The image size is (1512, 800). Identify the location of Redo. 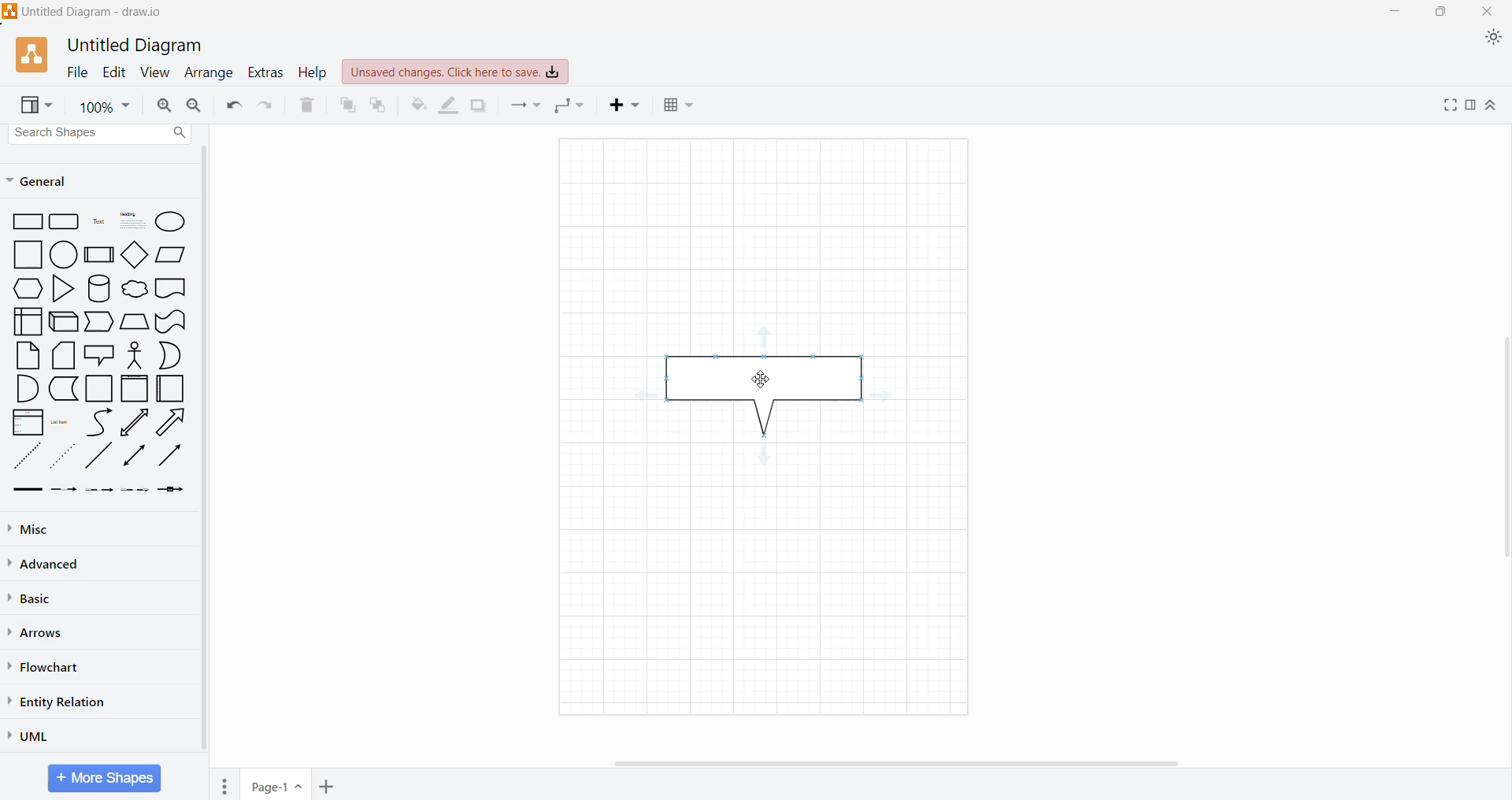
(268, 105).